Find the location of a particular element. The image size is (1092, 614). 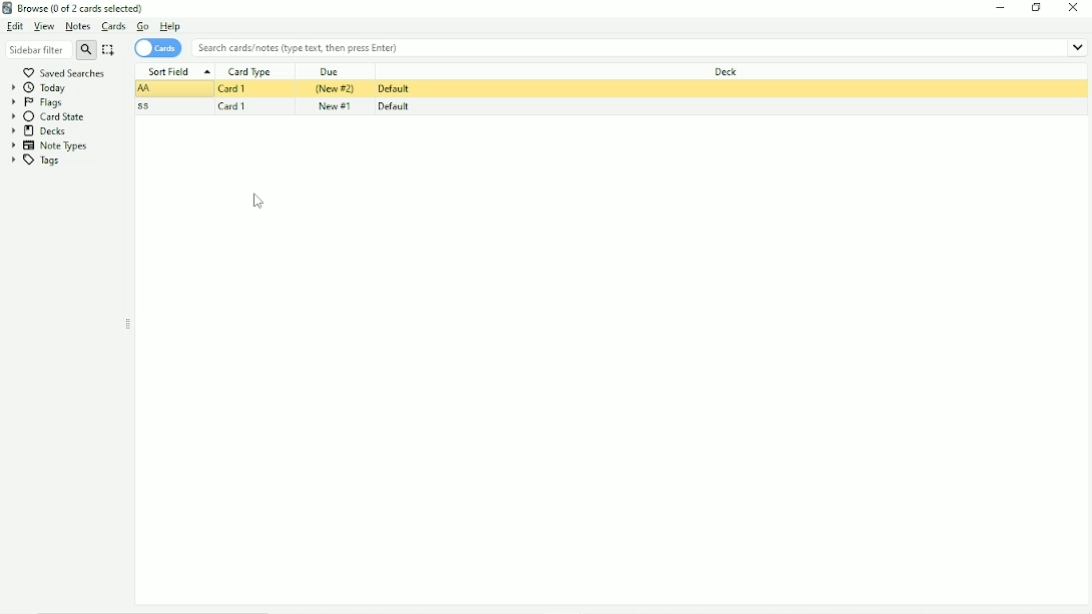

New #1 is located at coordinates (337, 106).